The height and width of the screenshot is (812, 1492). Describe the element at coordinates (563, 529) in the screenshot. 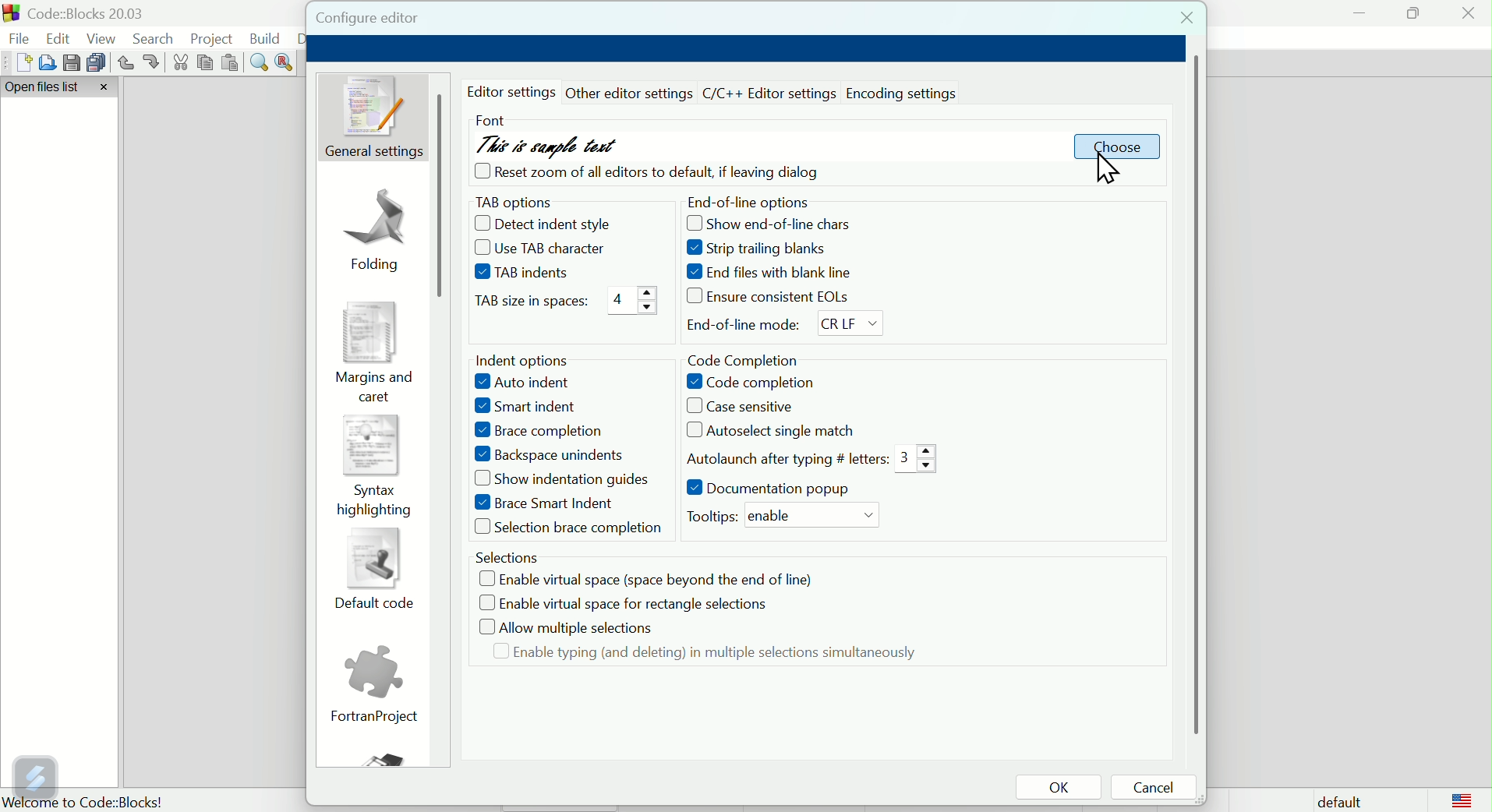

I see `selections brace completion` at that location.